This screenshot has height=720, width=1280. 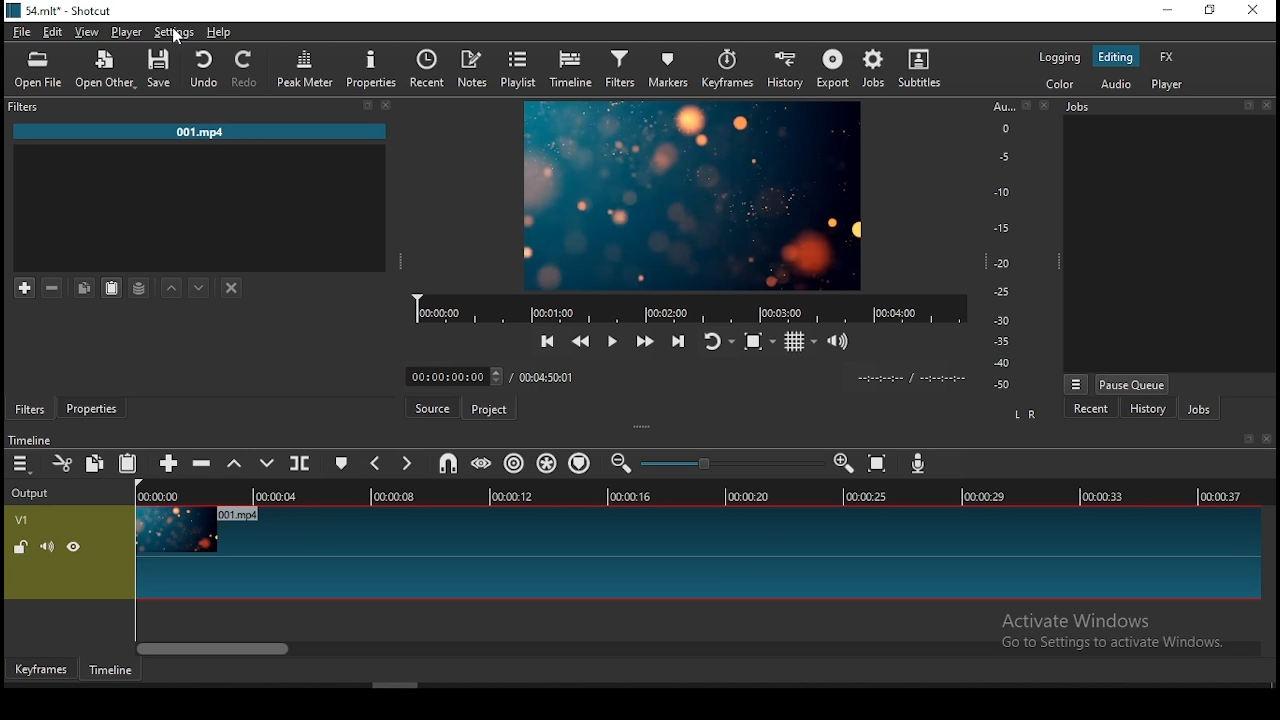 What do you see at coordinates (689, 195) in the screenshot?
I see `image` at bounding box center [689, 195].